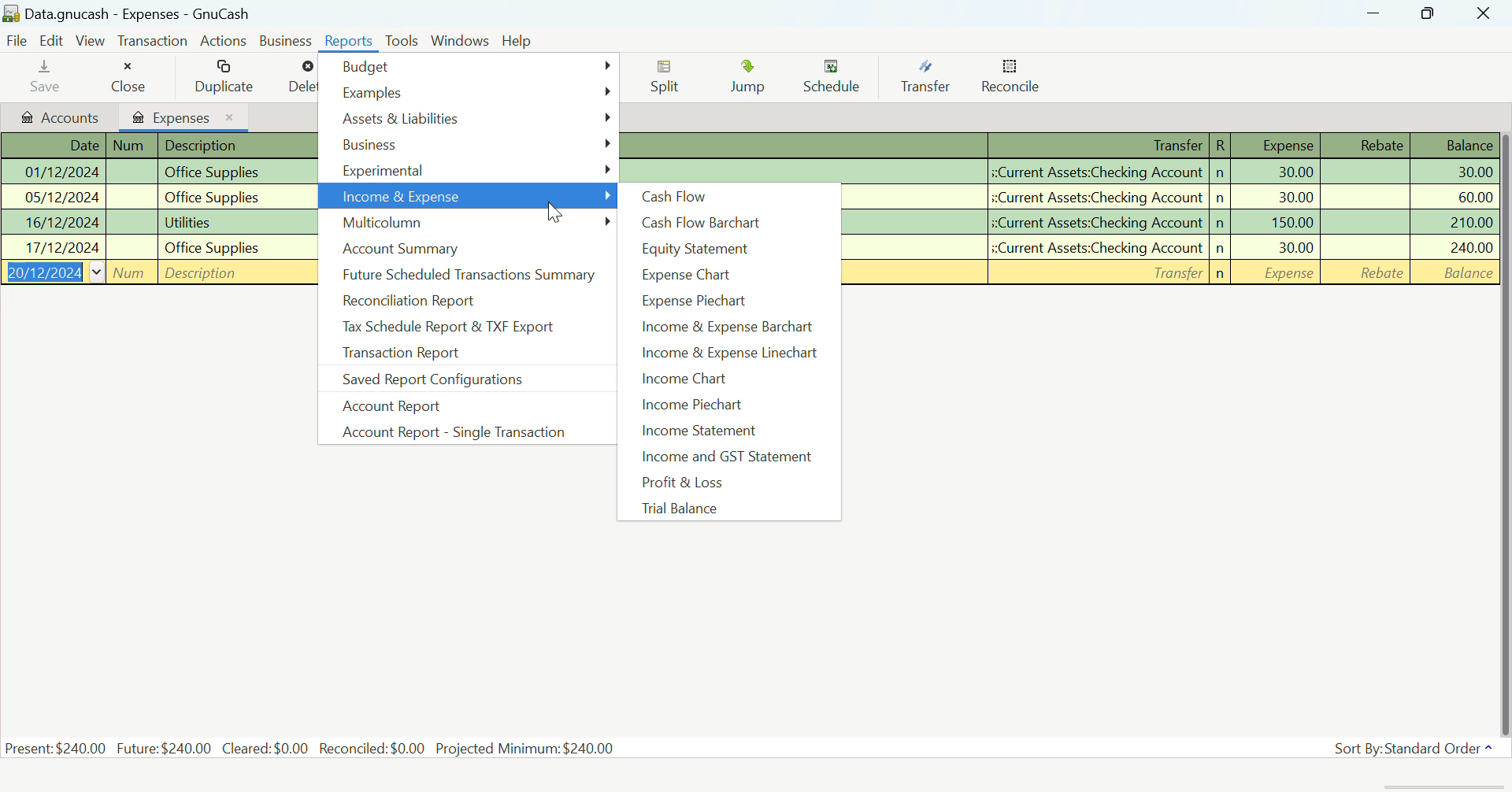 The width and height of the screenshot is (1512, 792). I want to click on Tax Schedule Report & TXF Export, so click(460, 328).